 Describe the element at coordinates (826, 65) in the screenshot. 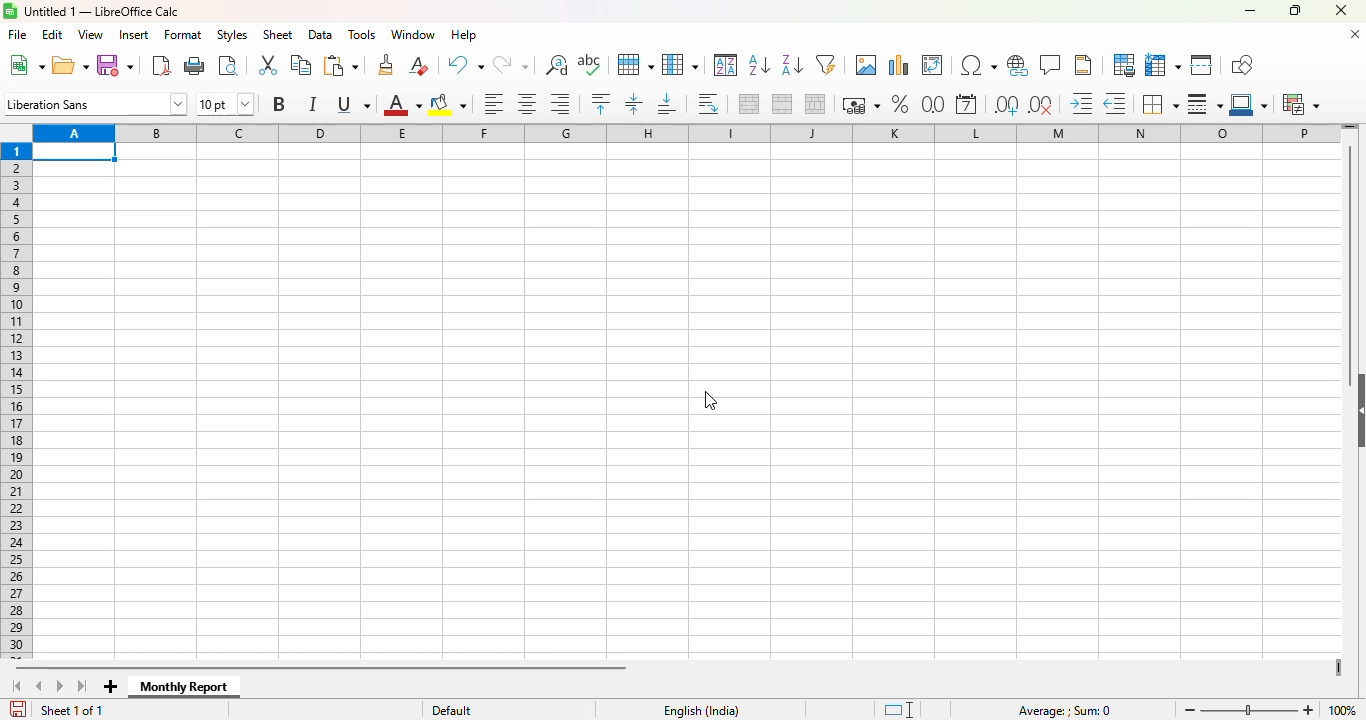

I see `autoFilter` at that location.